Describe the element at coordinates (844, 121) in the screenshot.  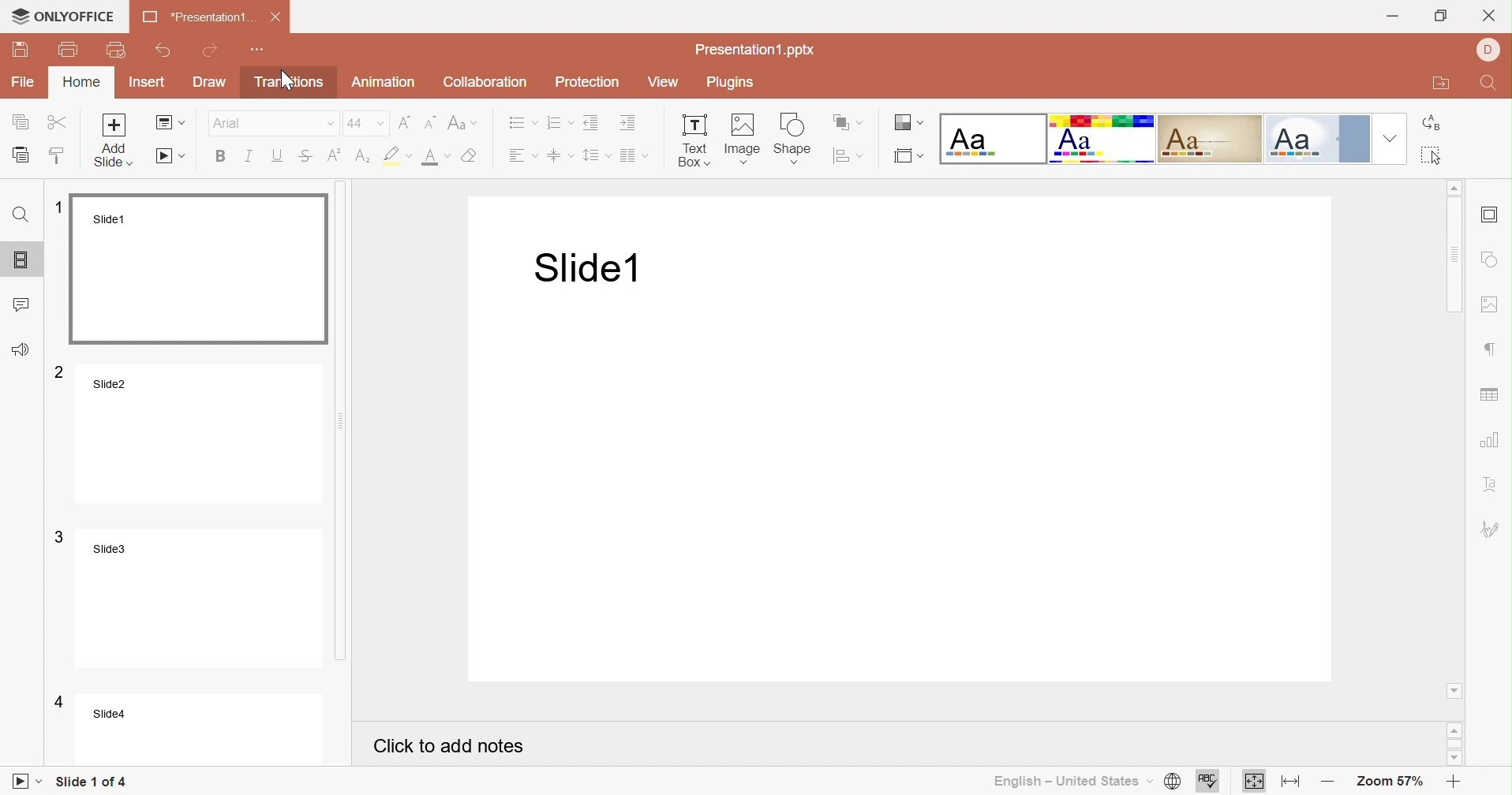
I see `Arrange Shape` at that location.